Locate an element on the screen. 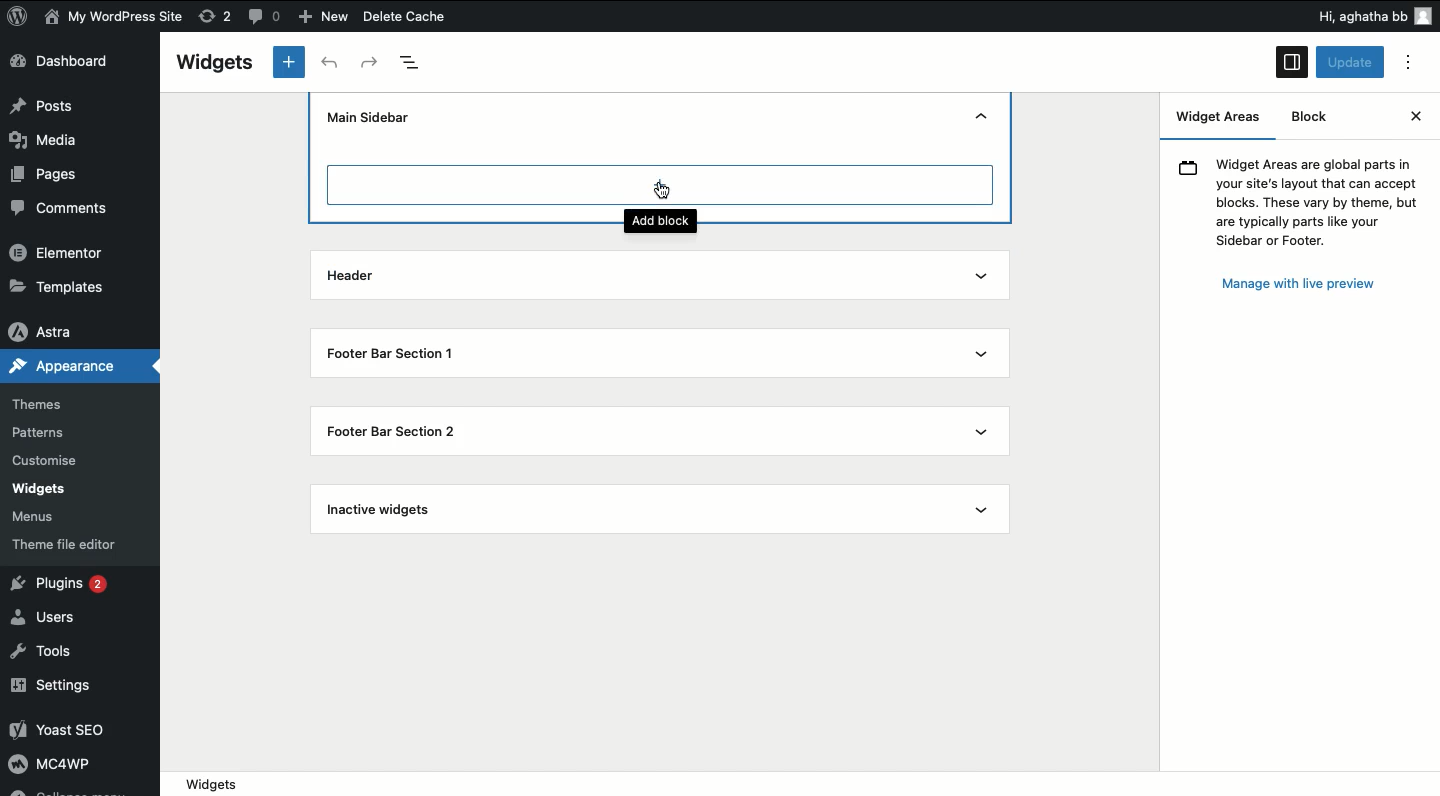  Update is located at coordinates (1349, 63).